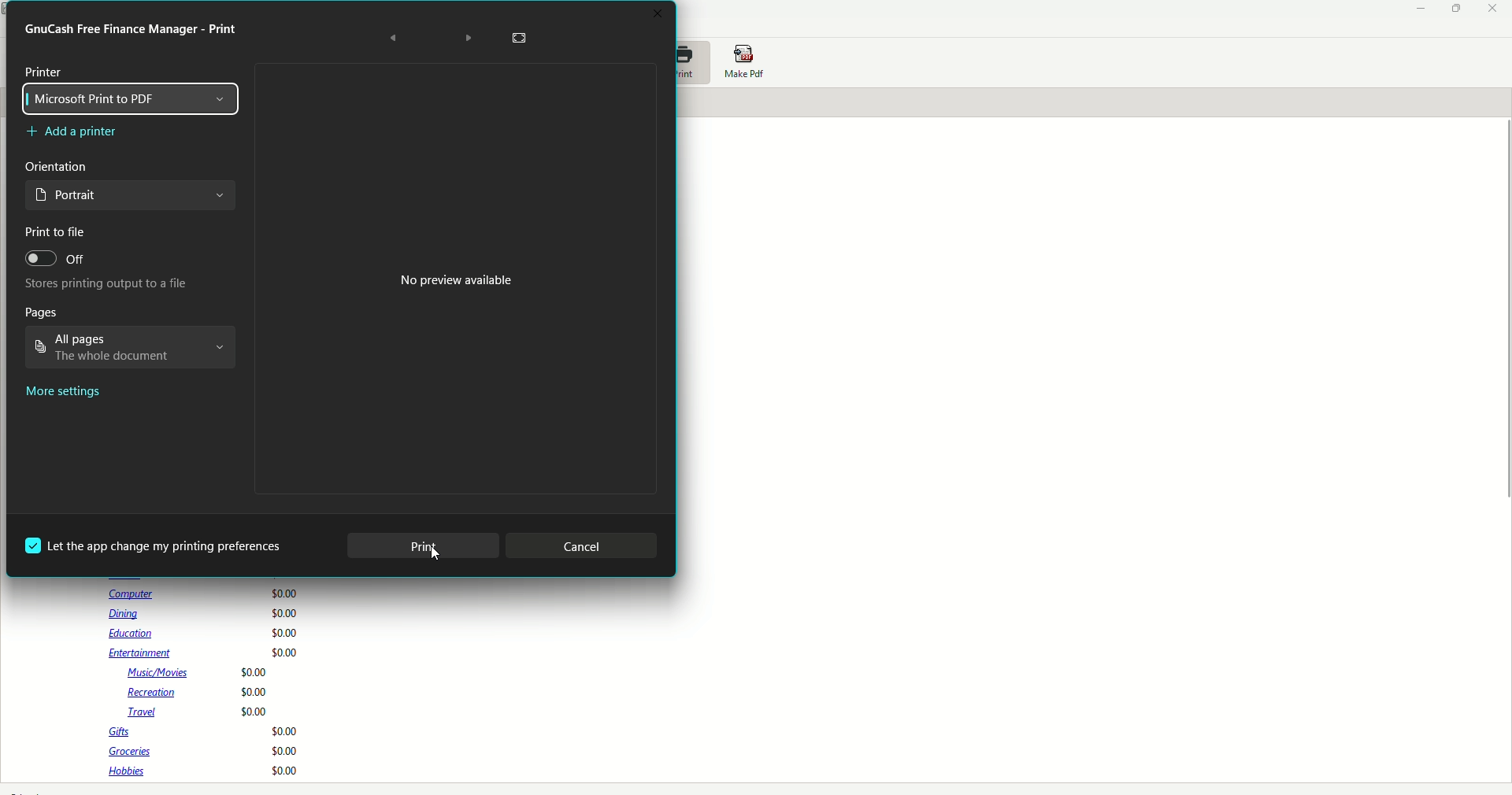  I want to click on Off, so click(56, 261).